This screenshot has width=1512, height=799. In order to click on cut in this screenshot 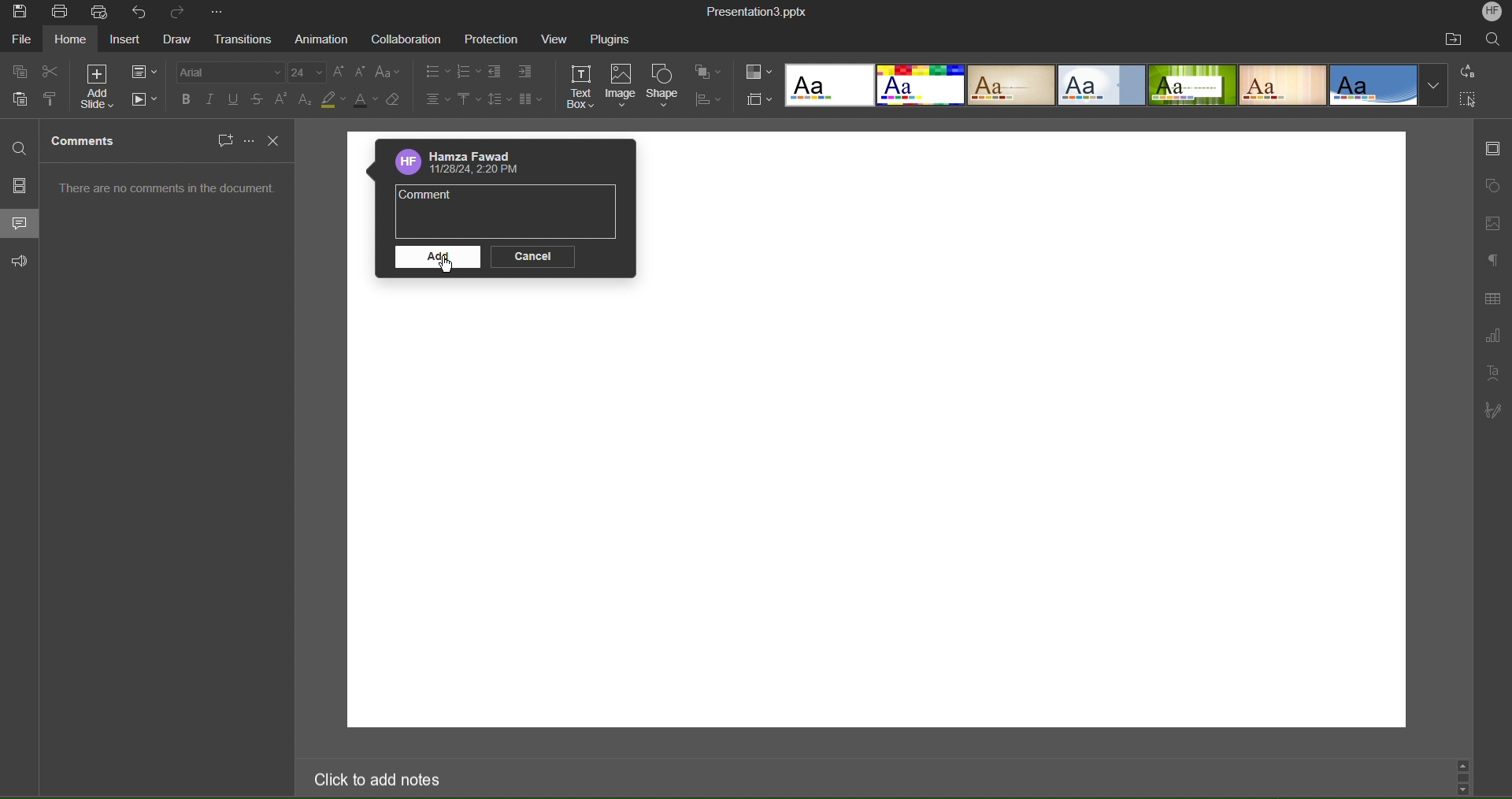, I will do `click(51, 72)`.